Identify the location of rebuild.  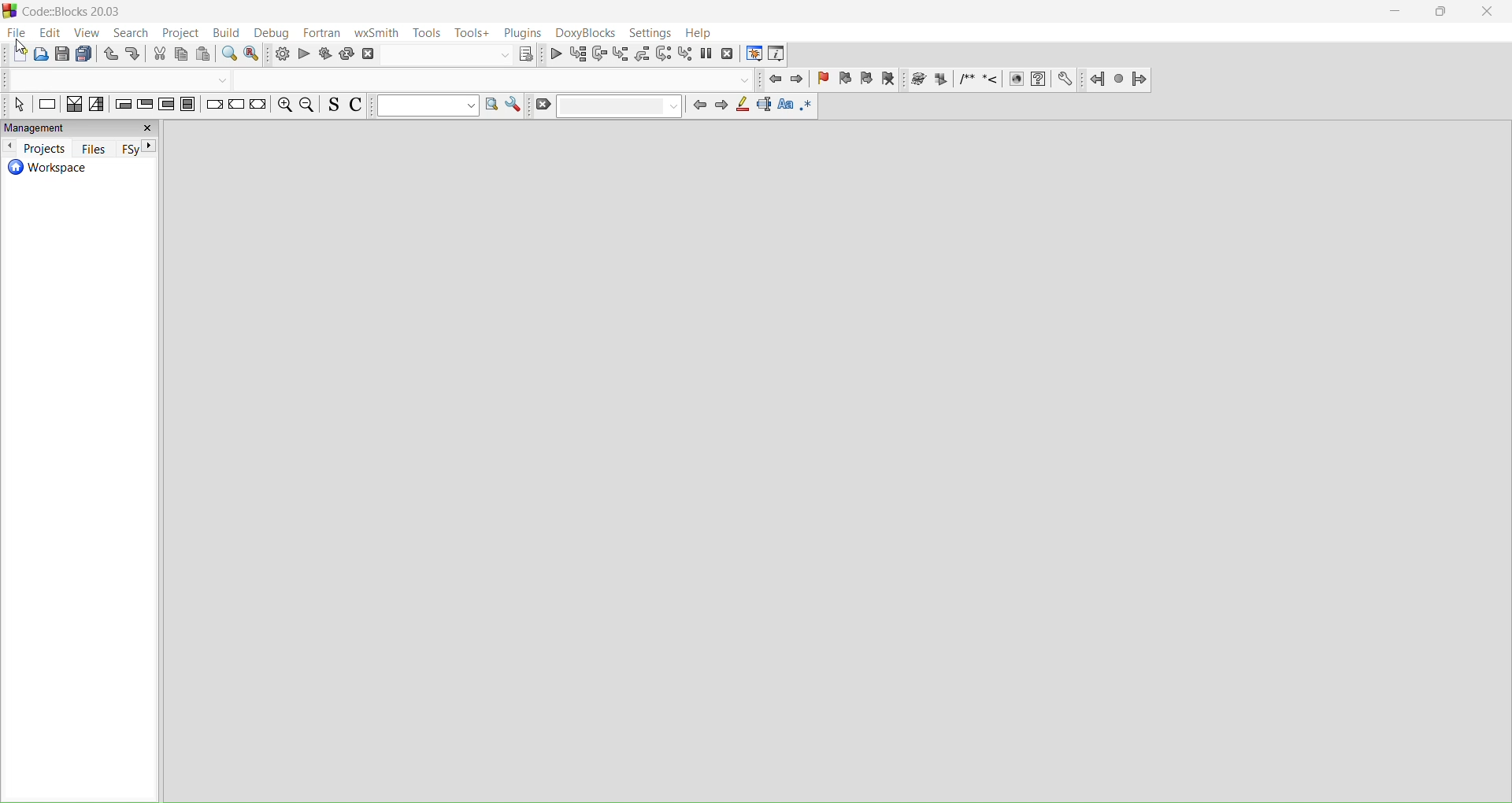
(348, 54).